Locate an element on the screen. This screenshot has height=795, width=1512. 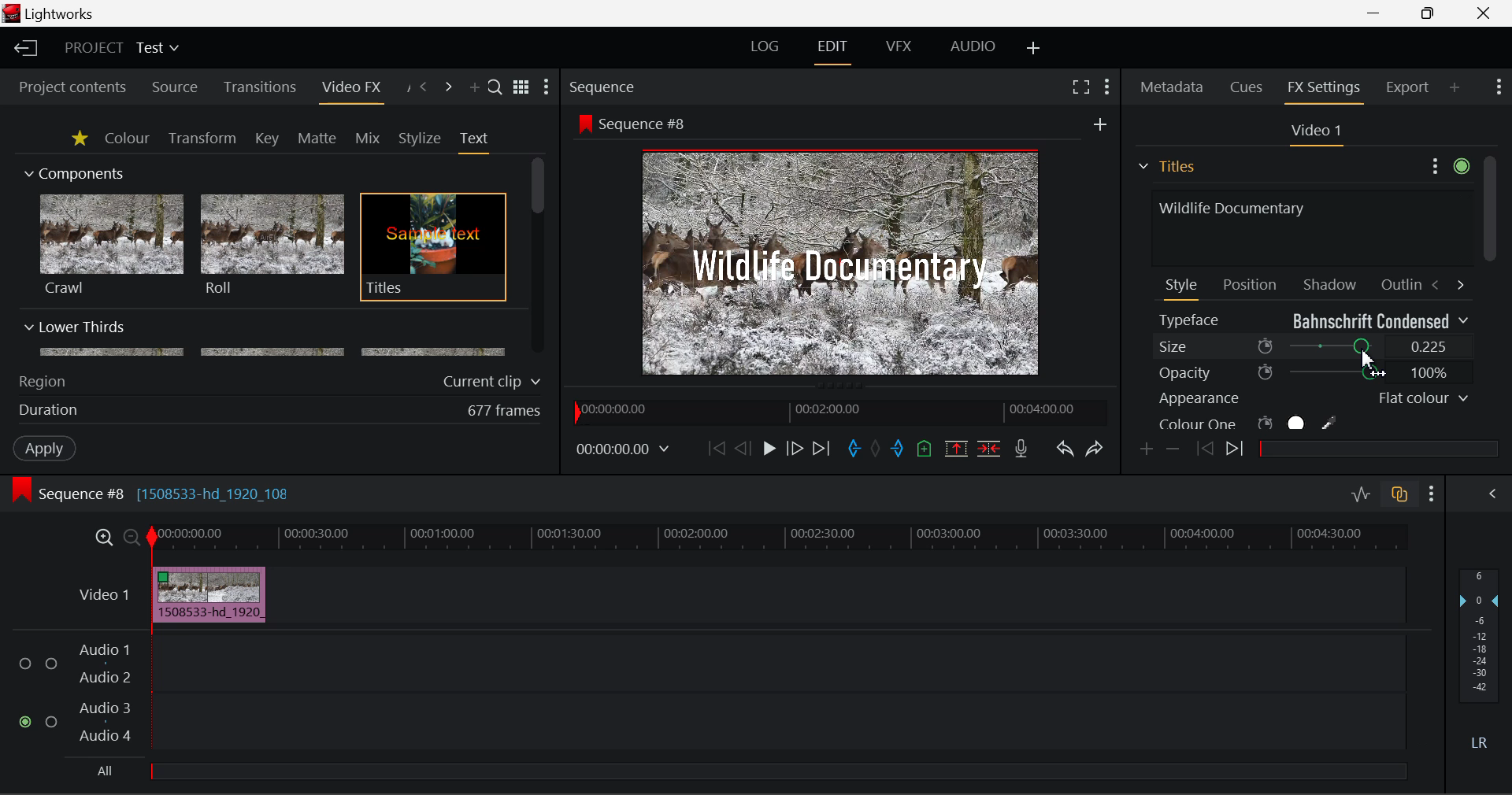
Delete/Cut is located at coordinates (991, 448).